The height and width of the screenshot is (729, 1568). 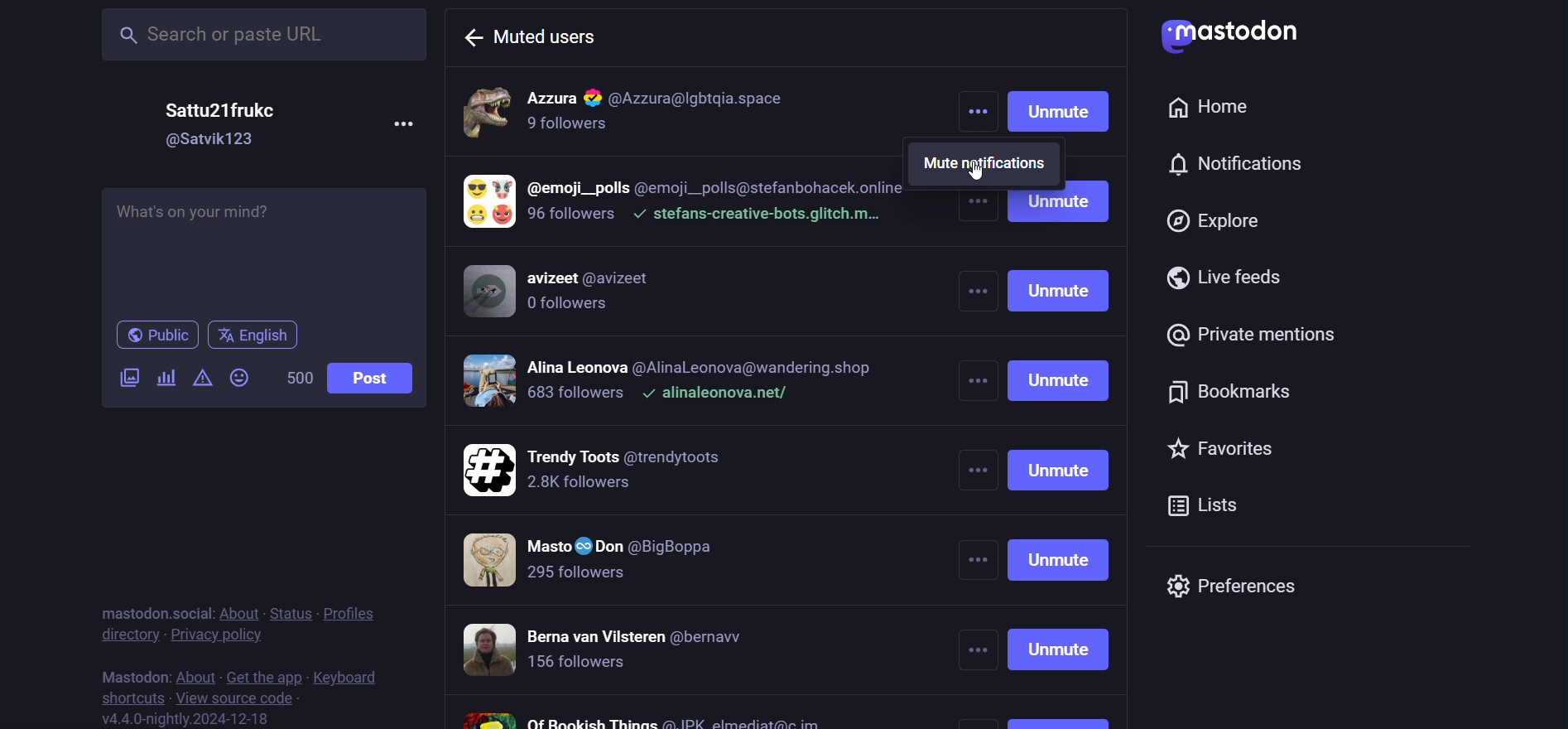 I want to click on keyboard, so click(x=356, y=677).